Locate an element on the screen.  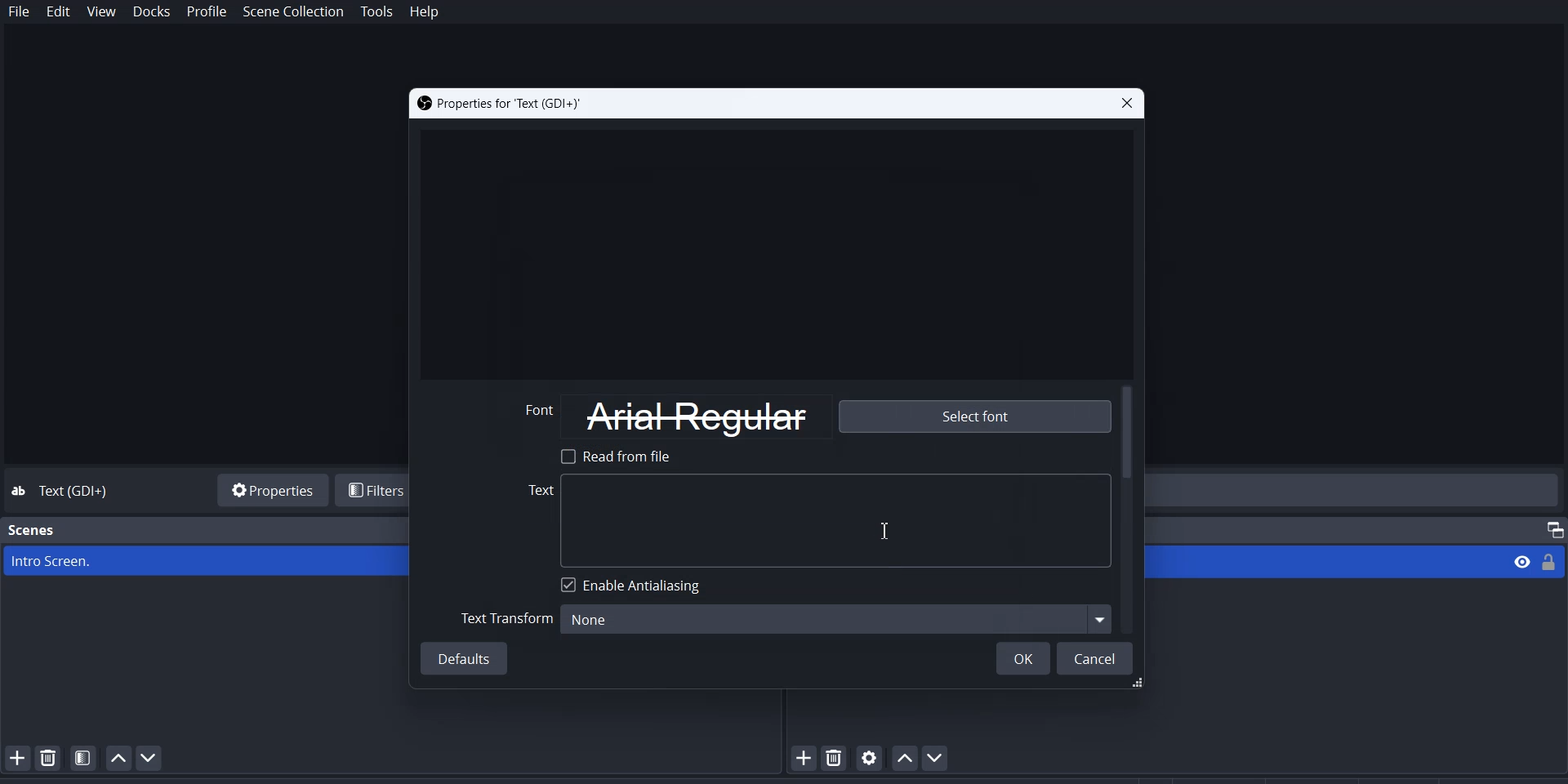
Properties for 'Text (GDI+)' is located at coordinates (500, 104).